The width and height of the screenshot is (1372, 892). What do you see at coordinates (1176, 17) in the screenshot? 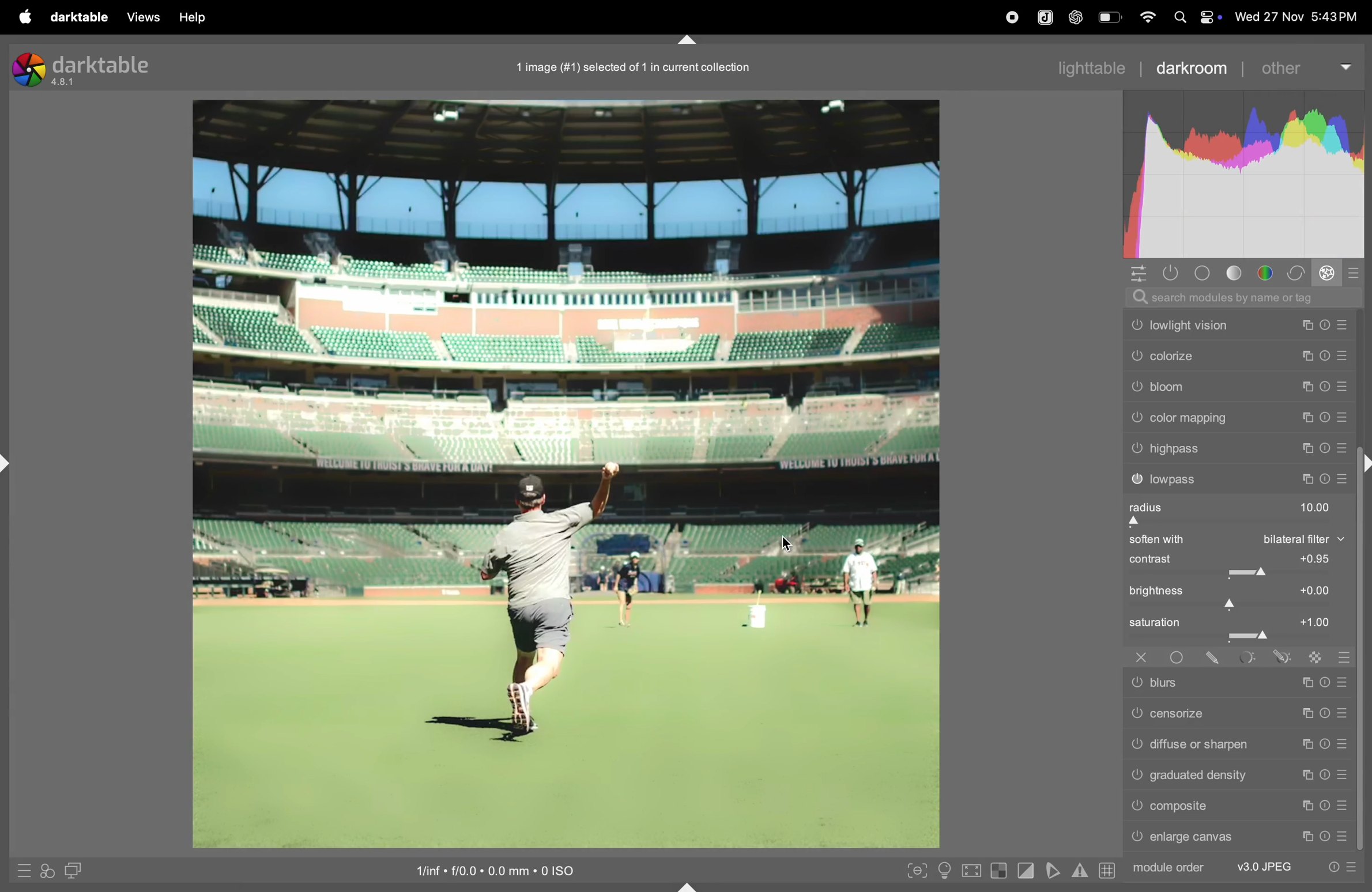
I see `spotlight search` at bounding box center [1176, 17].